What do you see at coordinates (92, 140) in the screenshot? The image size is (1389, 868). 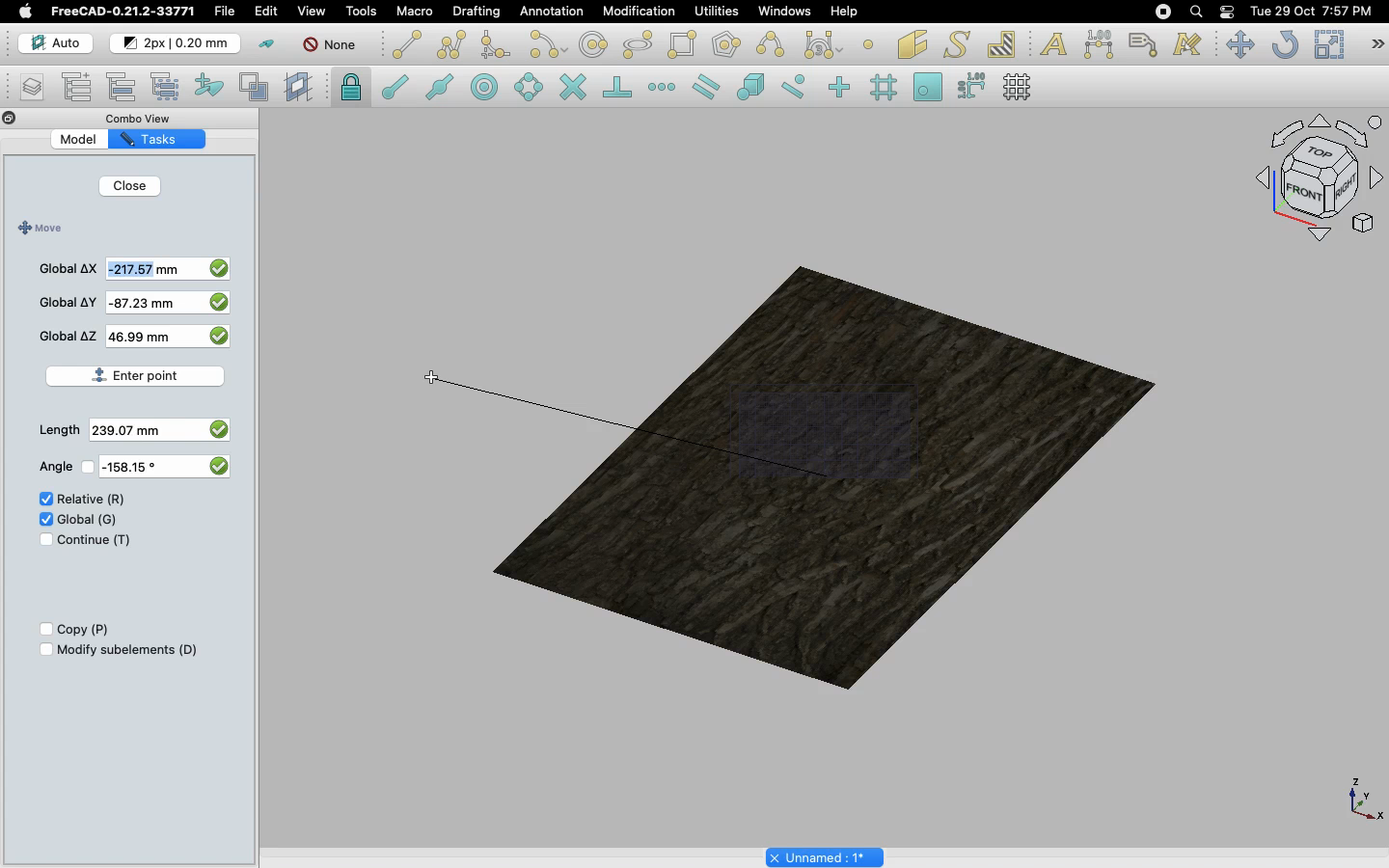 I see `Model` at bounding box center [92, 140].